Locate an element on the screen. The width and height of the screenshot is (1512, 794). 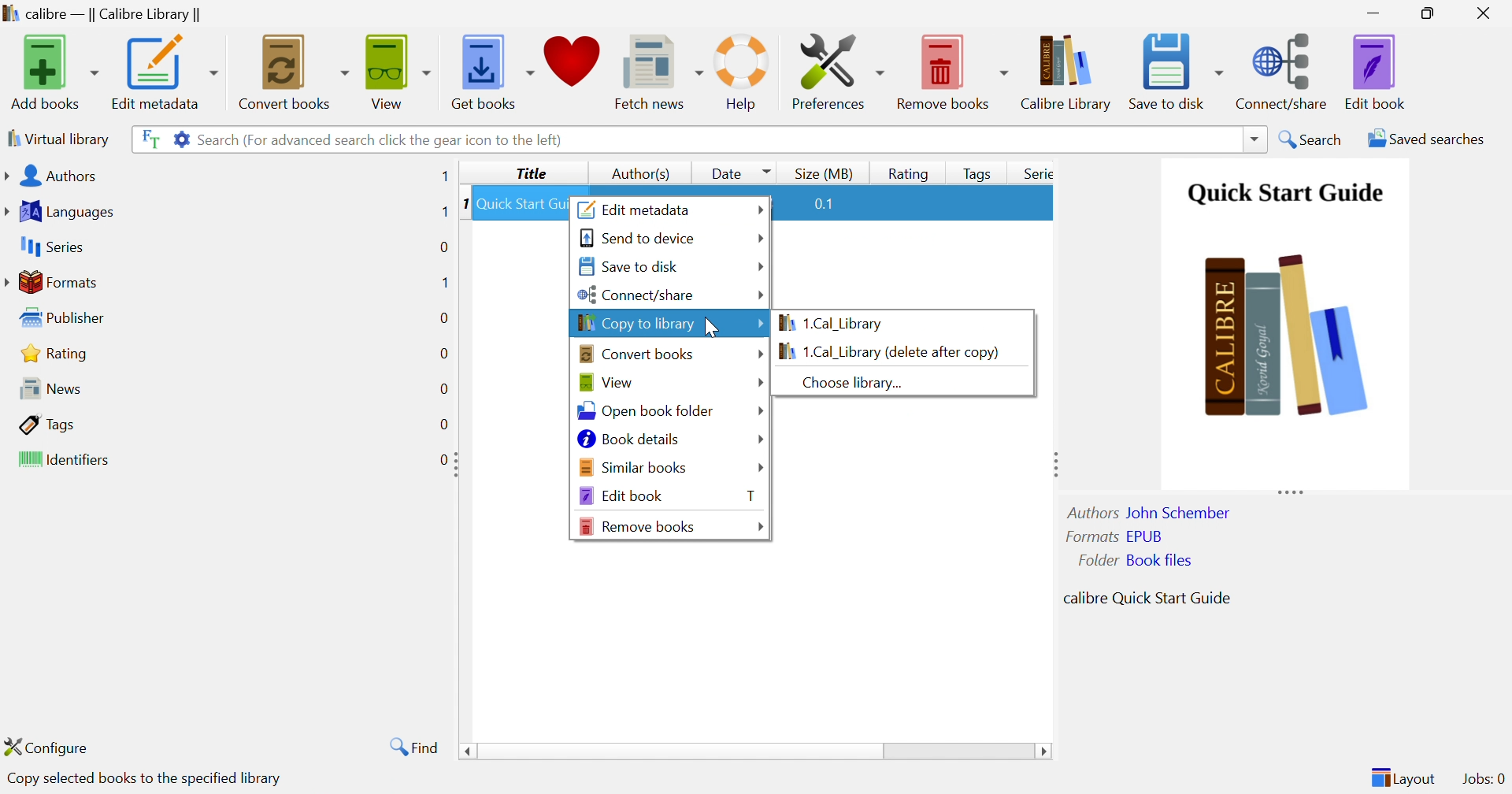
0 is located at coordinates (443, 247).